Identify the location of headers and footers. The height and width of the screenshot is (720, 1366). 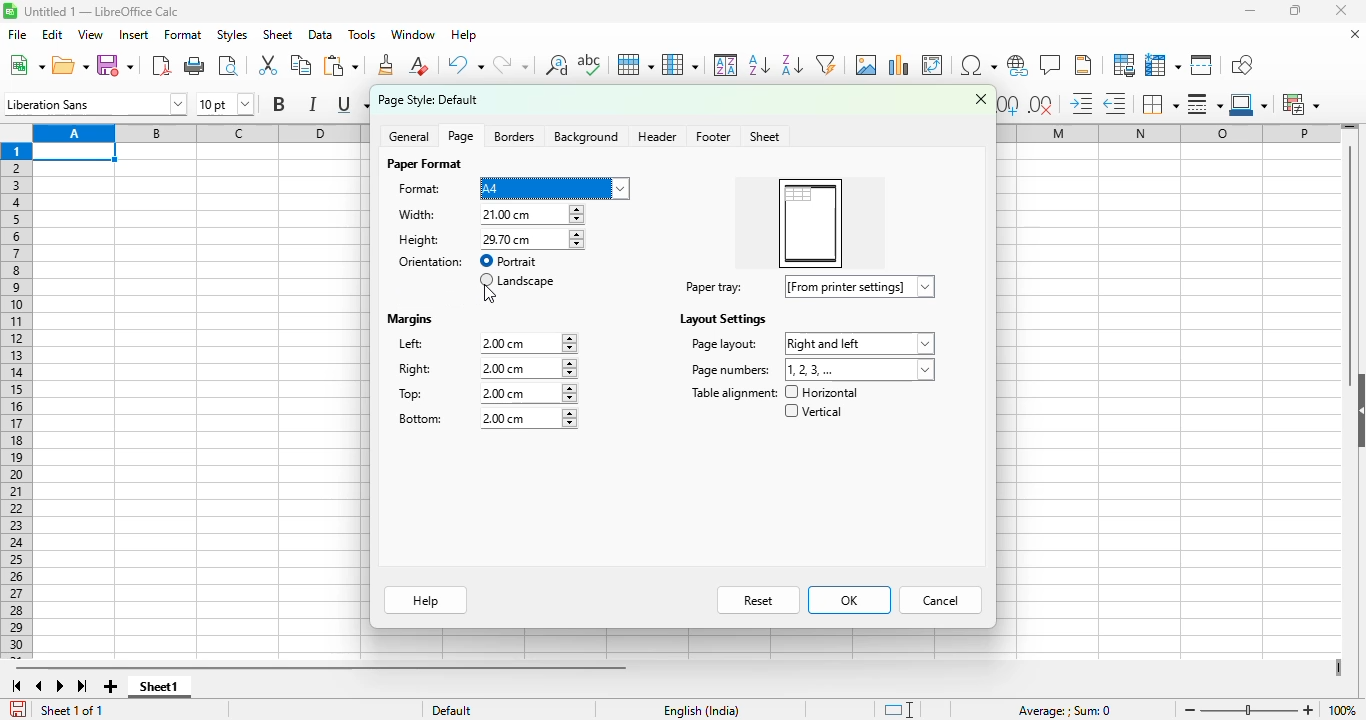
(1083, 65).